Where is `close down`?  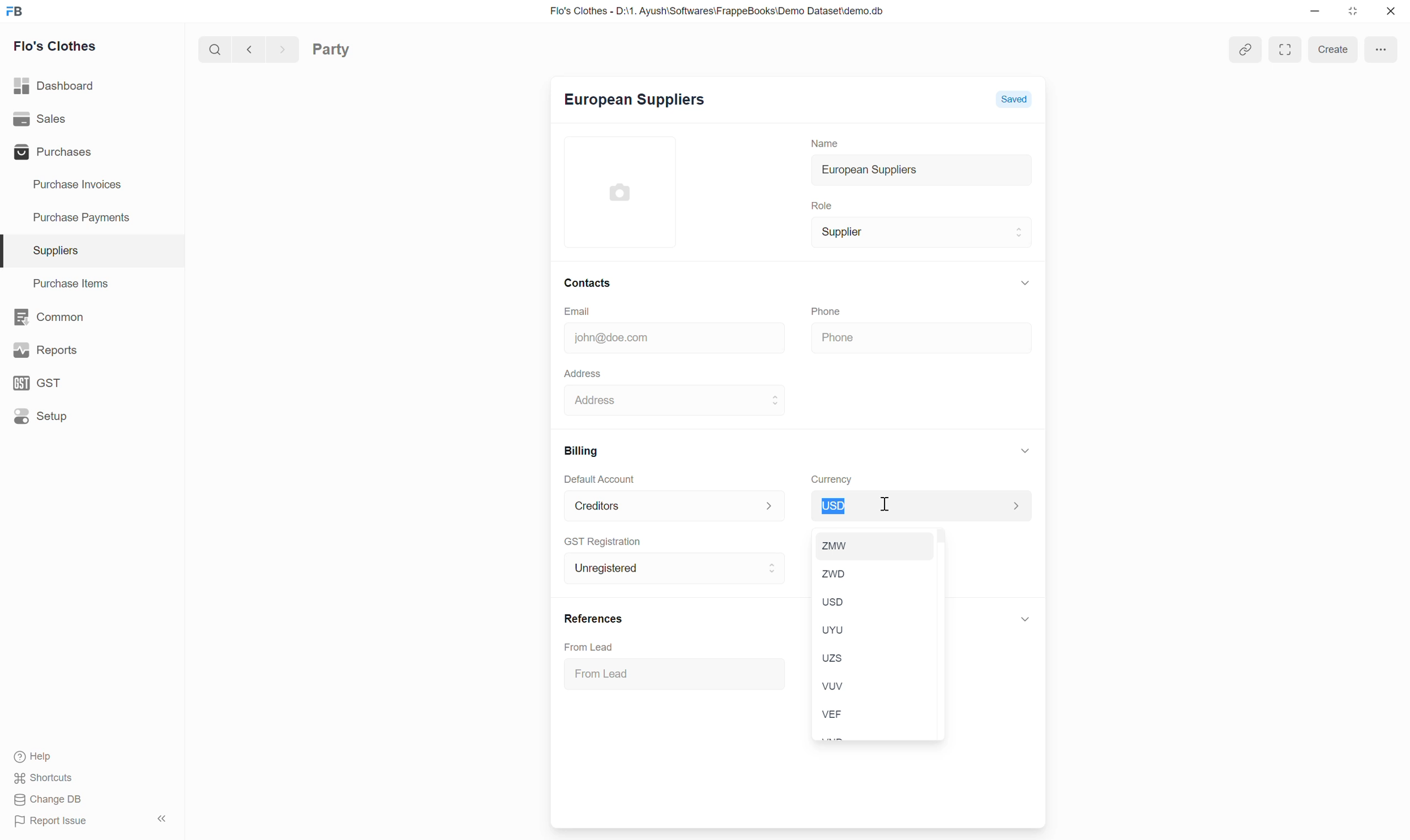
close down is located at coordinates (1354, 12).